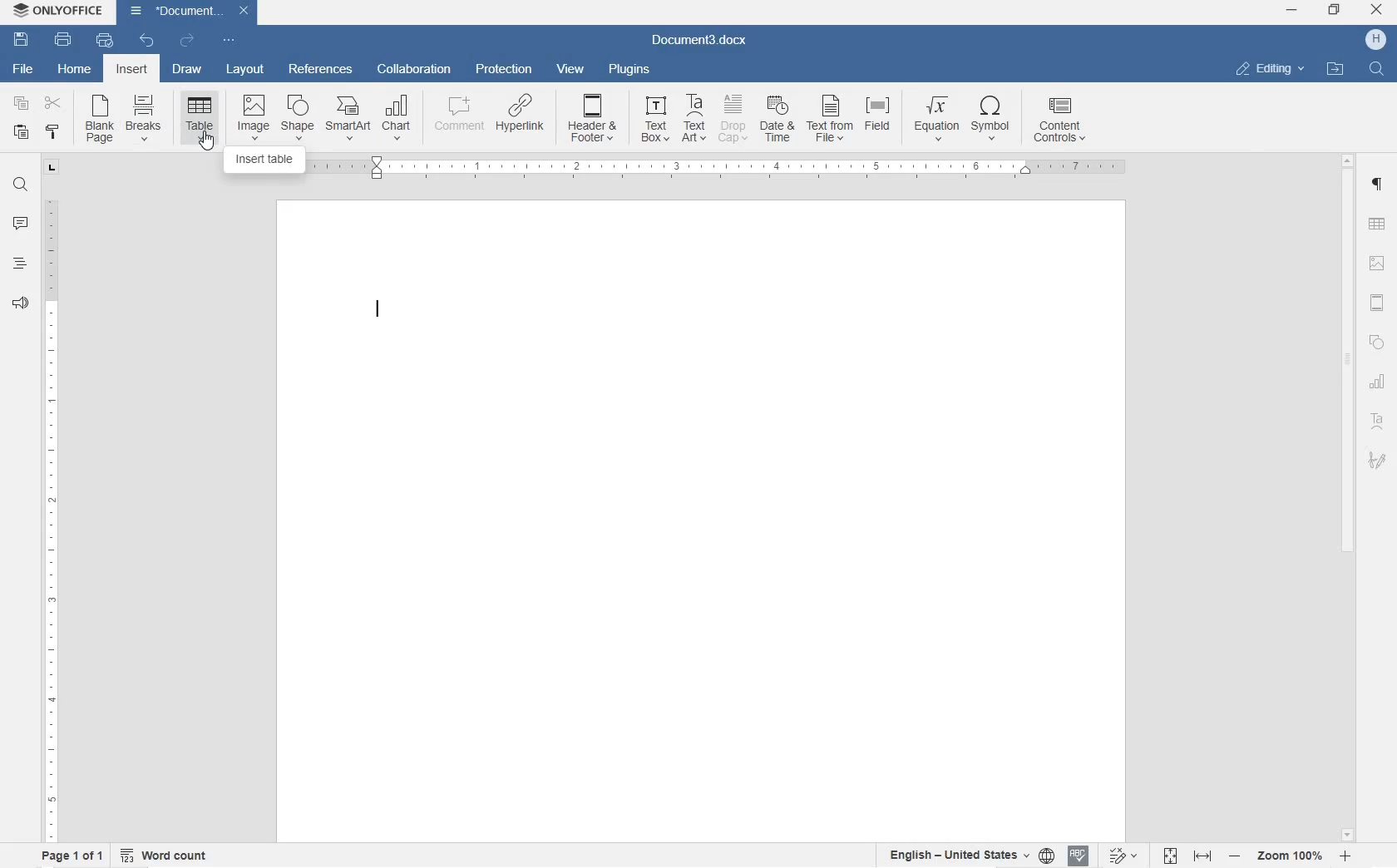 This screenshot has width=1397, height=868. Describe the element at coordinates (594, 121) in the screenshot. I see `Header & Footer` at that location.